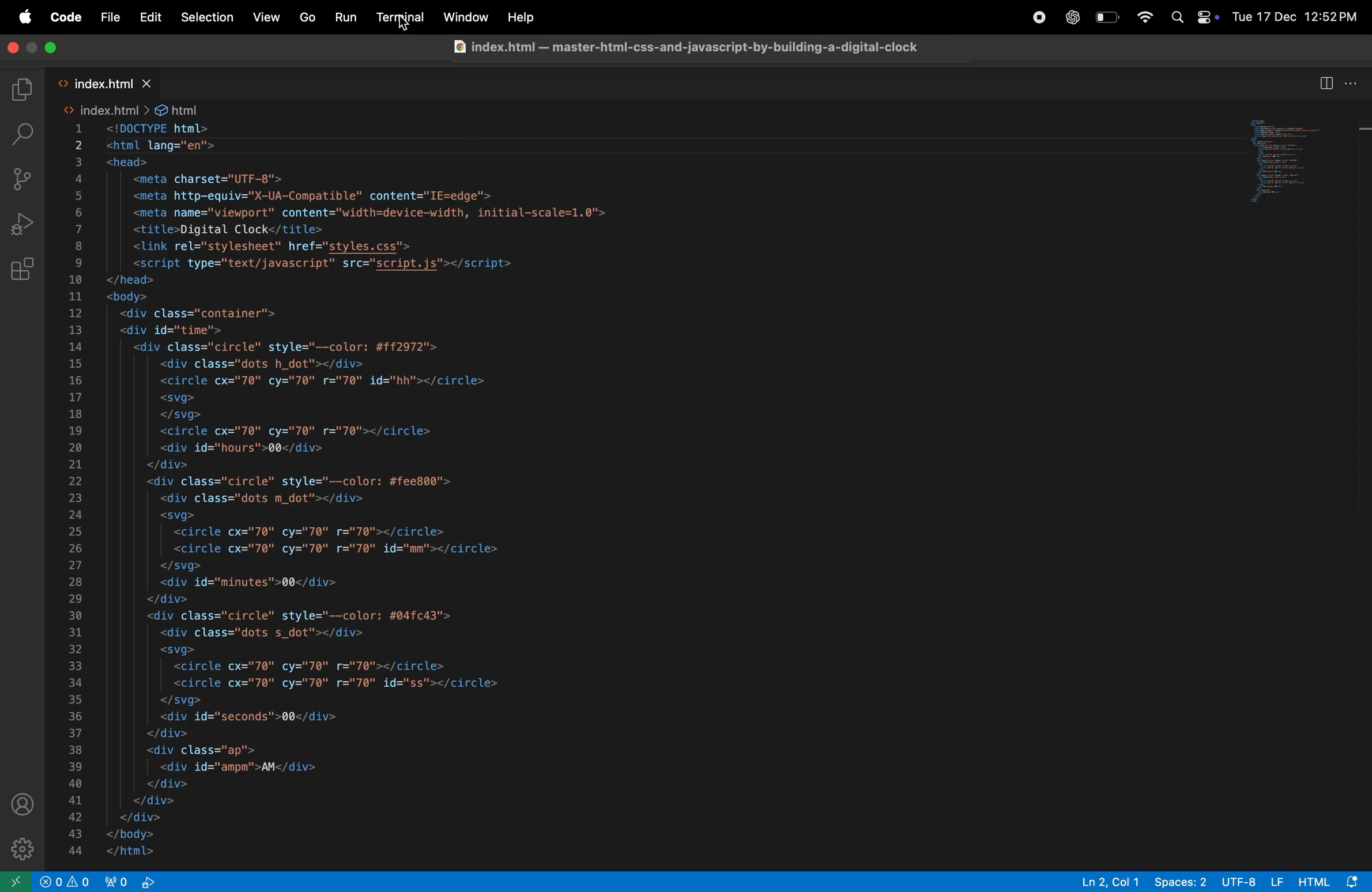 The height and width of the screenshot is (892, 1372). What do you see at coordinates (1324, 83) in the screenshot?
I see `split` at bounding box center [1324, 83].